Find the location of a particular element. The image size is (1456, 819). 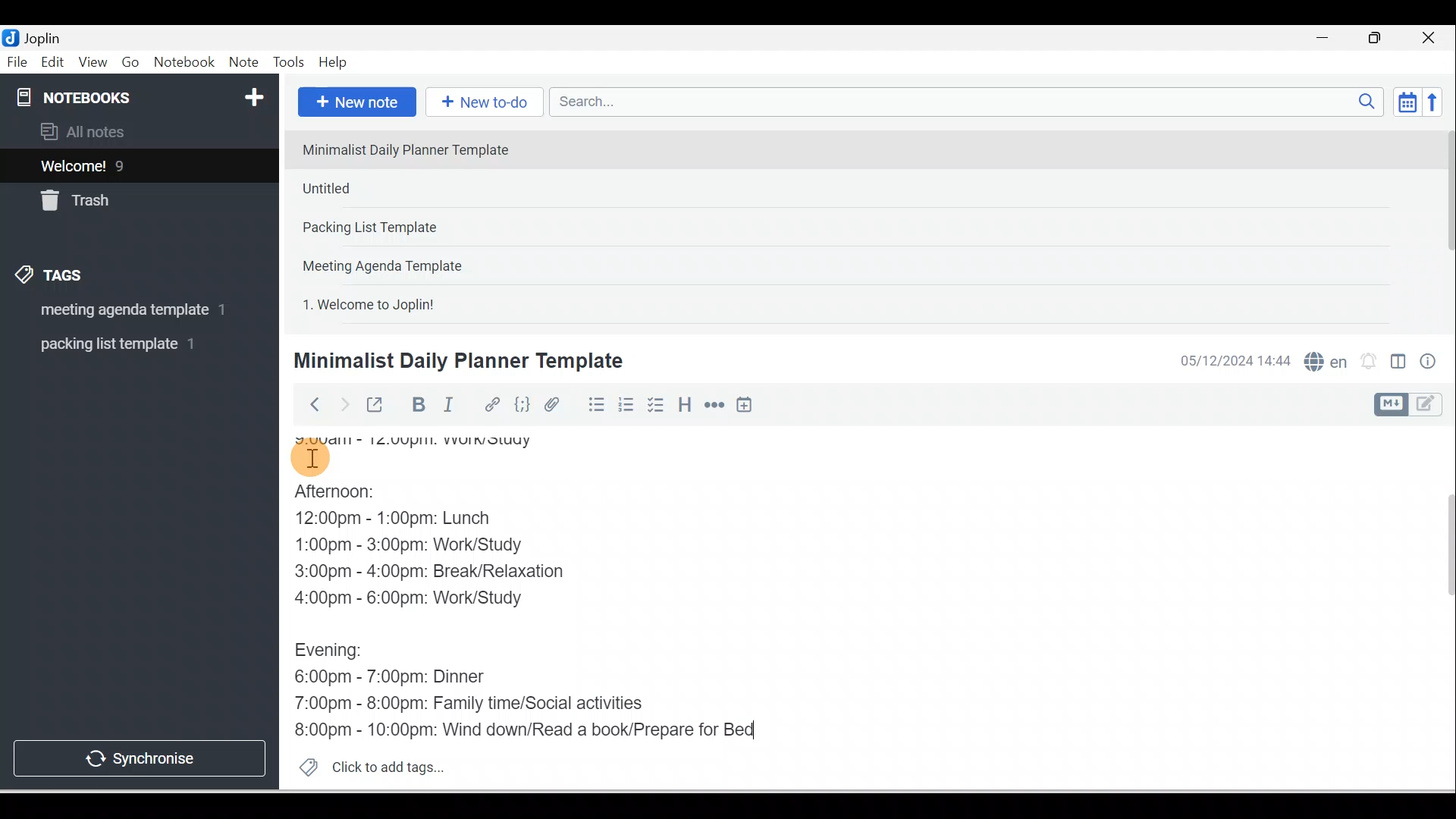

1:00pm - 3:00pm: Work/Study is located at coordinates (411, 545).